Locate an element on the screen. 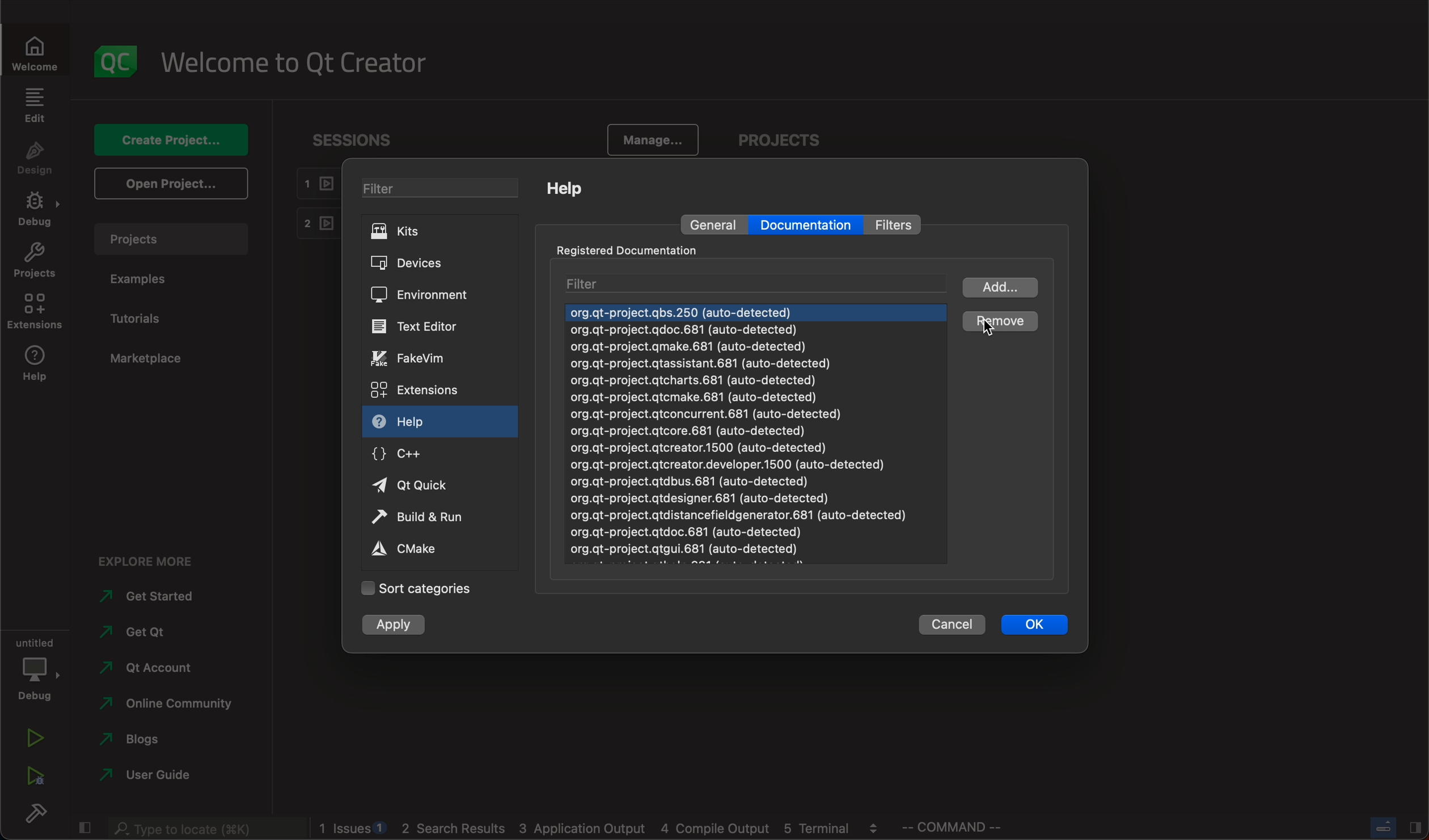 The height and width of the screenshot is (840, 1429). edit is located at coordinates (38, 108).